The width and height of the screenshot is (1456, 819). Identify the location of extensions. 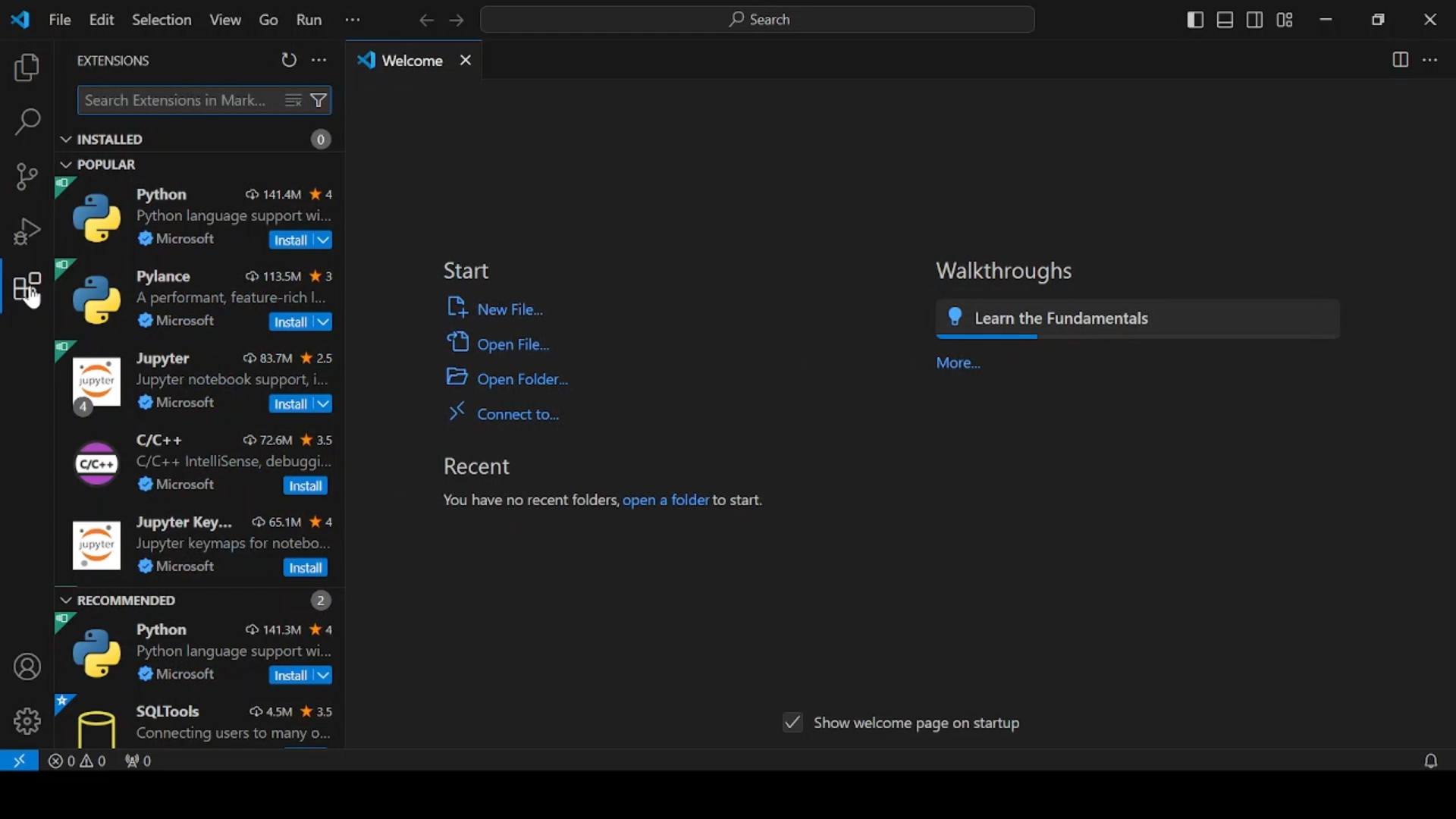
(115, 61).